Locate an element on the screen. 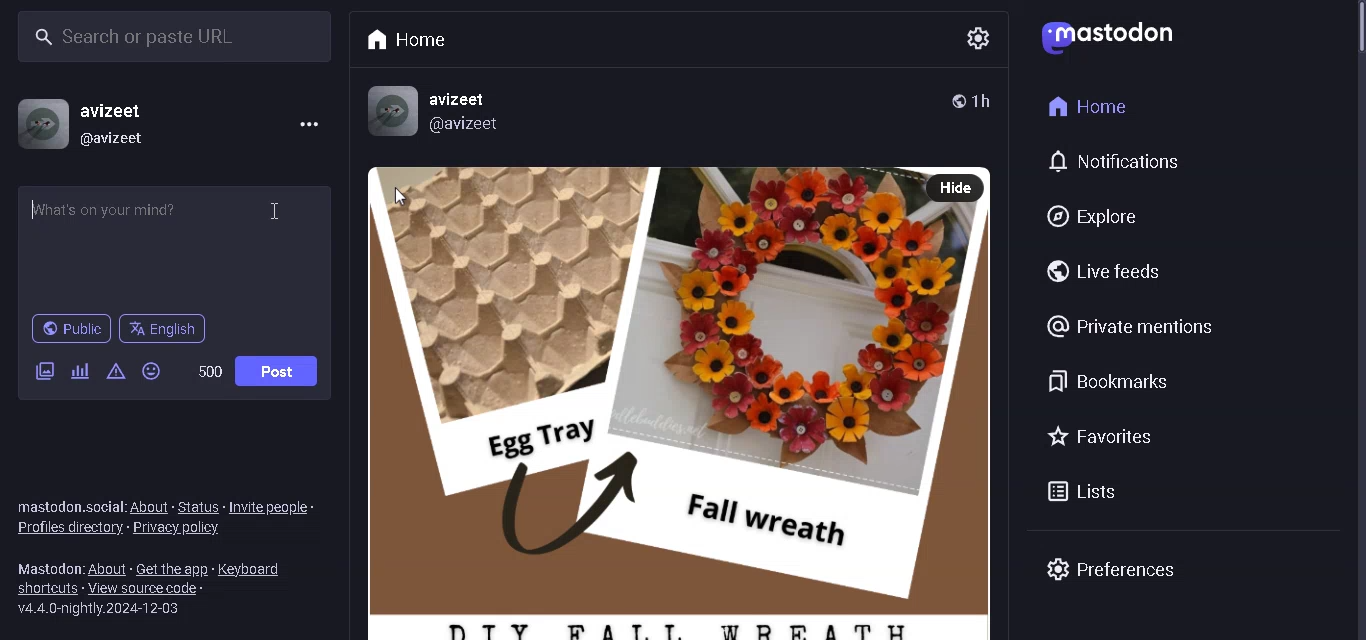 Image resolution: width=1366 pixels, height=640 pixels. ABOUT is located at coordinates (149, 506).